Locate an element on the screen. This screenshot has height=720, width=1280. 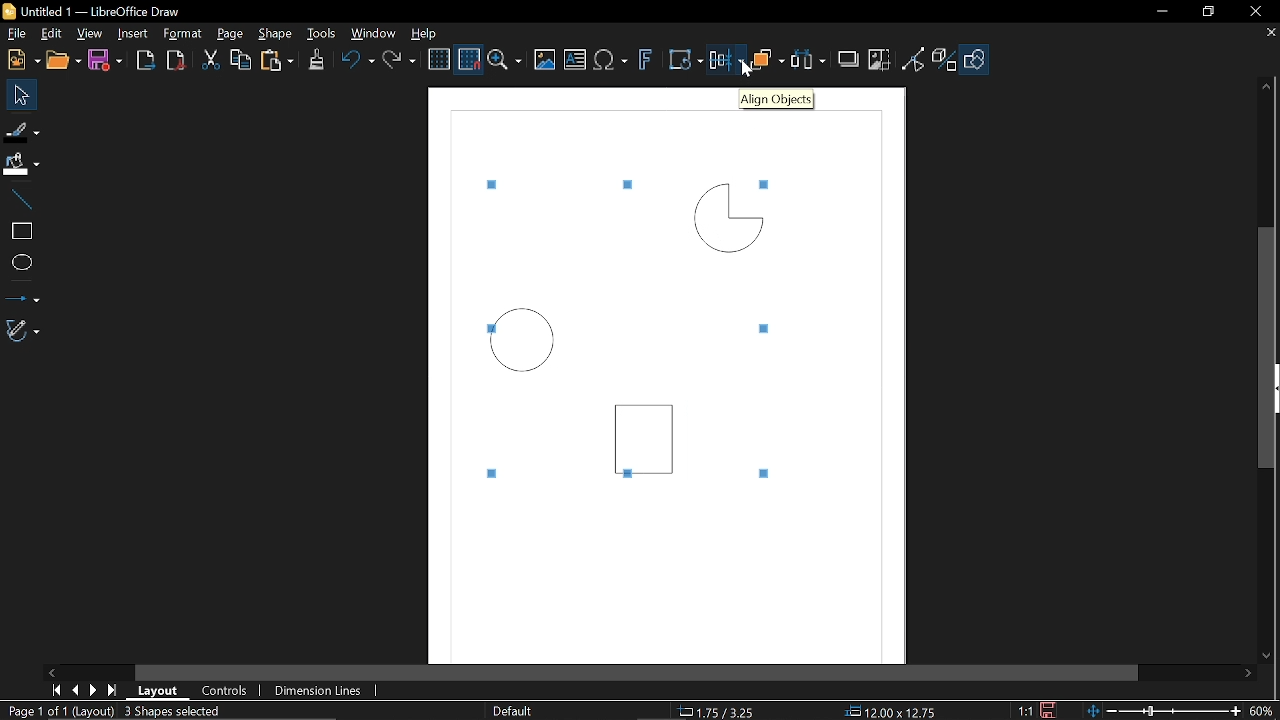
Shape is located at coordinates (275, 34).